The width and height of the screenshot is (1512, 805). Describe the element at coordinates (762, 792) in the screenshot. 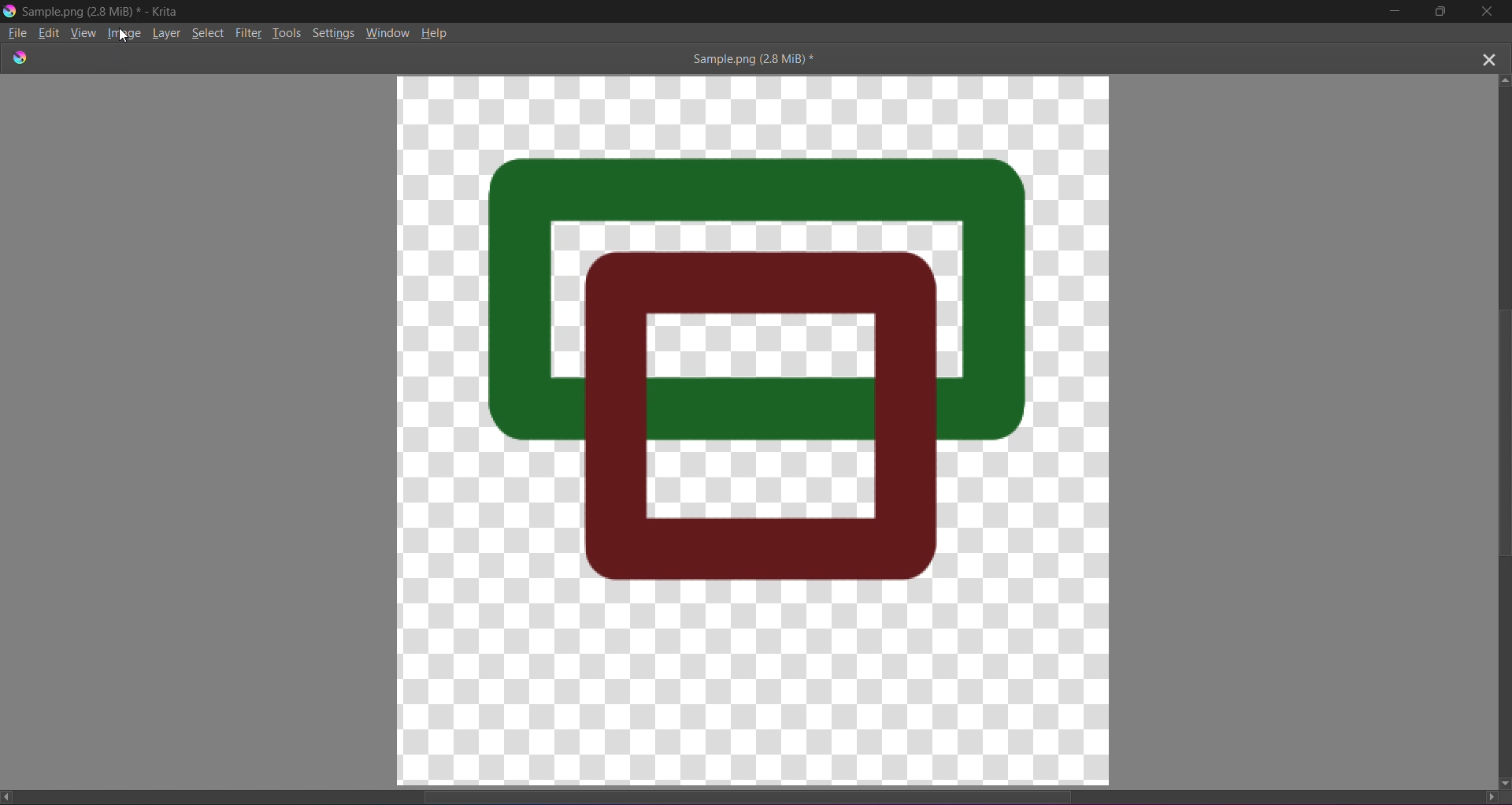

I see `Horizontal scroll bar` at that location.